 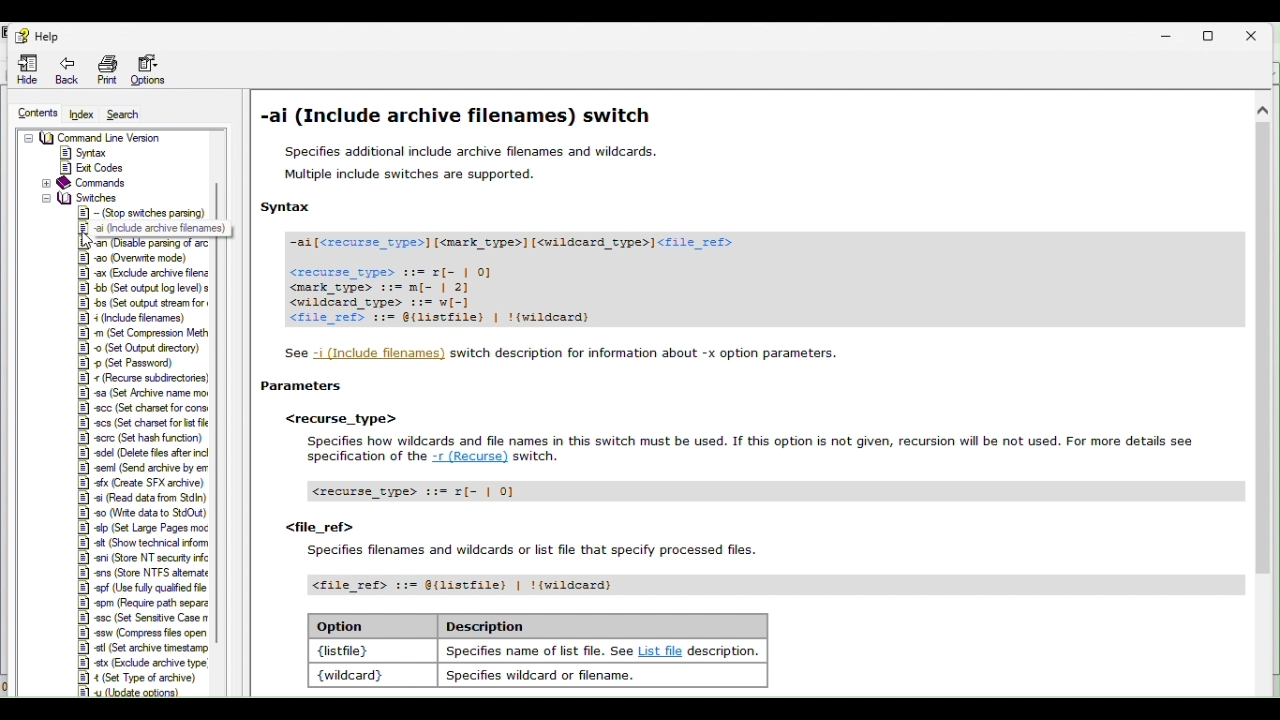 I want to click on #1 yu (Update options), so click(x=129, y=692).